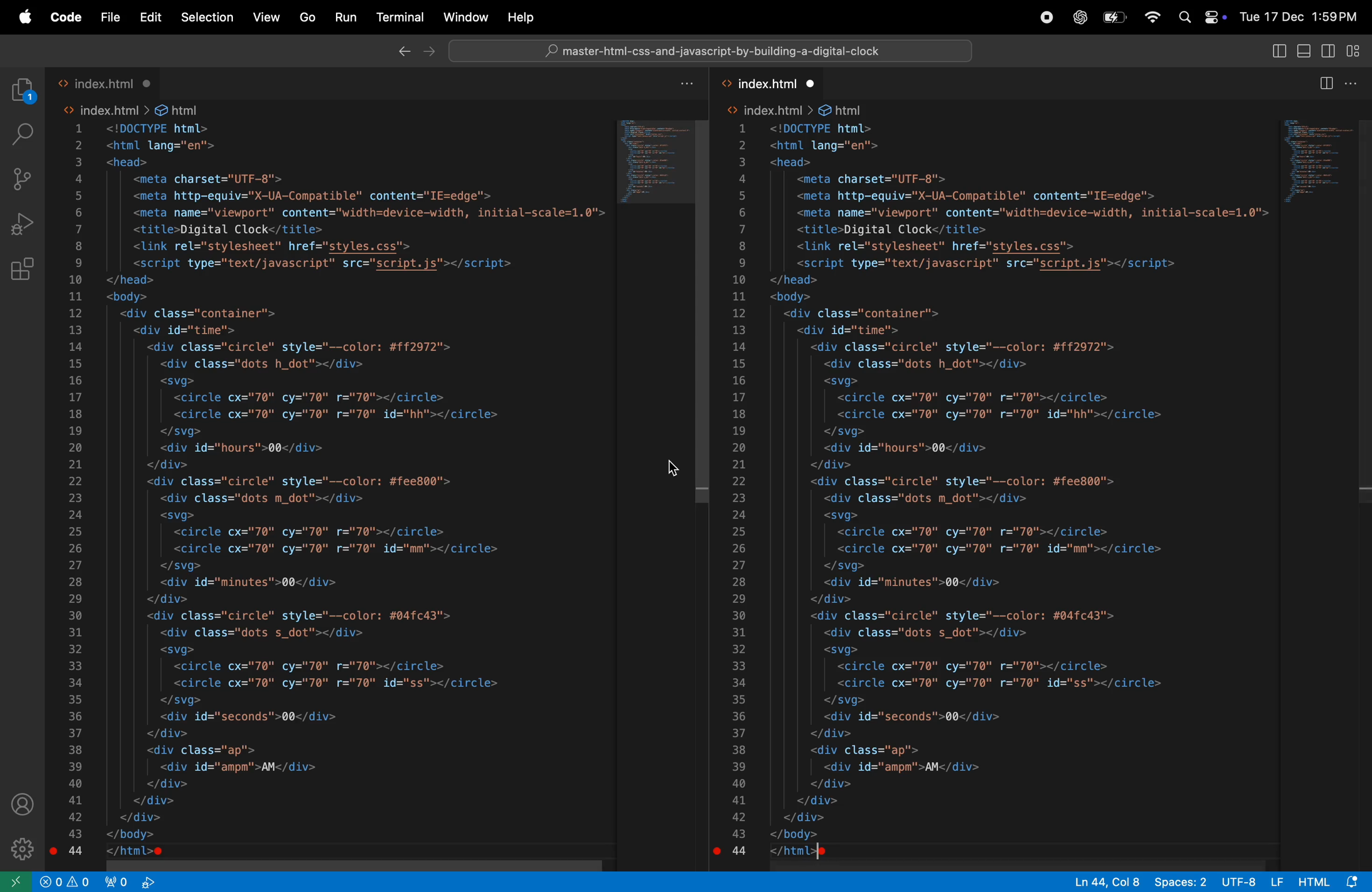 The width and height of the screenshot is (1372, 892). Describe the element at coordinates (715, 52) in the screenshot. I see `master-html-css` at that location.